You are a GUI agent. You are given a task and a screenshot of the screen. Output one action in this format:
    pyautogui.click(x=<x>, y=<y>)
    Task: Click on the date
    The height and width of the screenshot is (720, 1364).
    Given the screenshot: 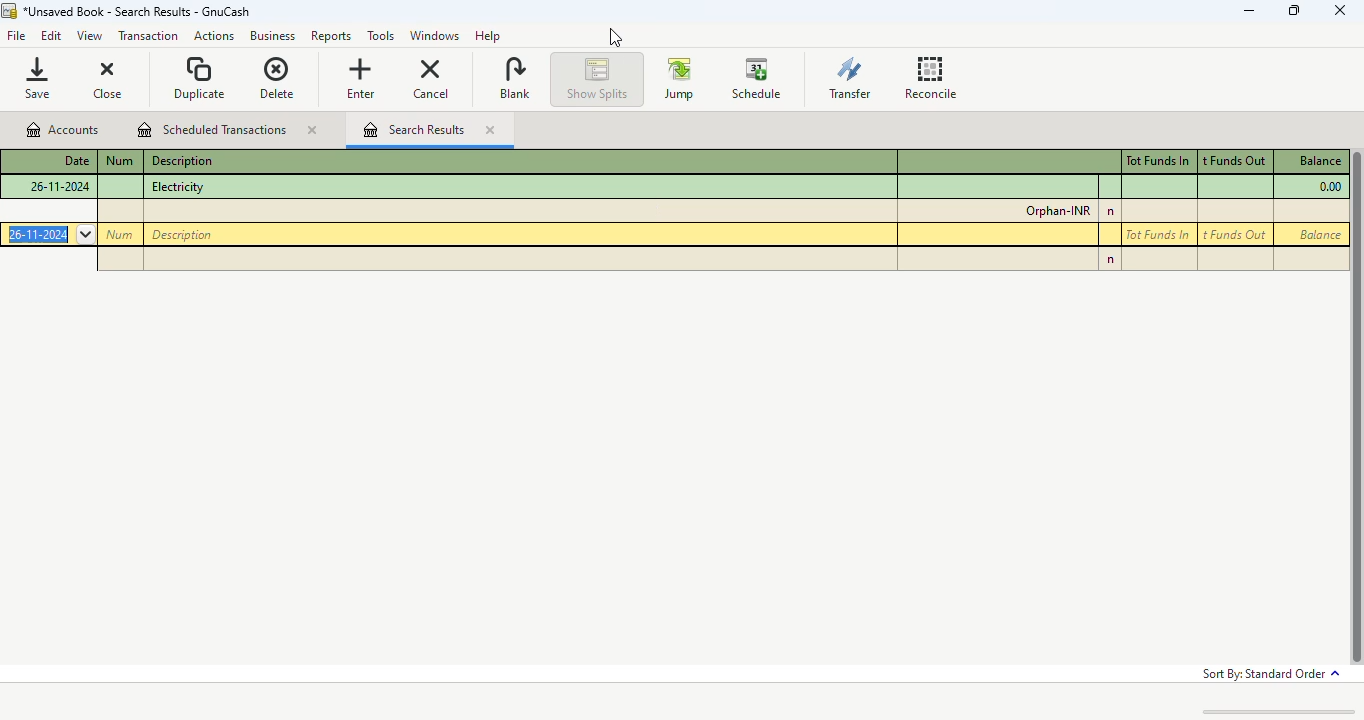 What is the action you would take?
    pyautogui.click(x=74, y=160)
    